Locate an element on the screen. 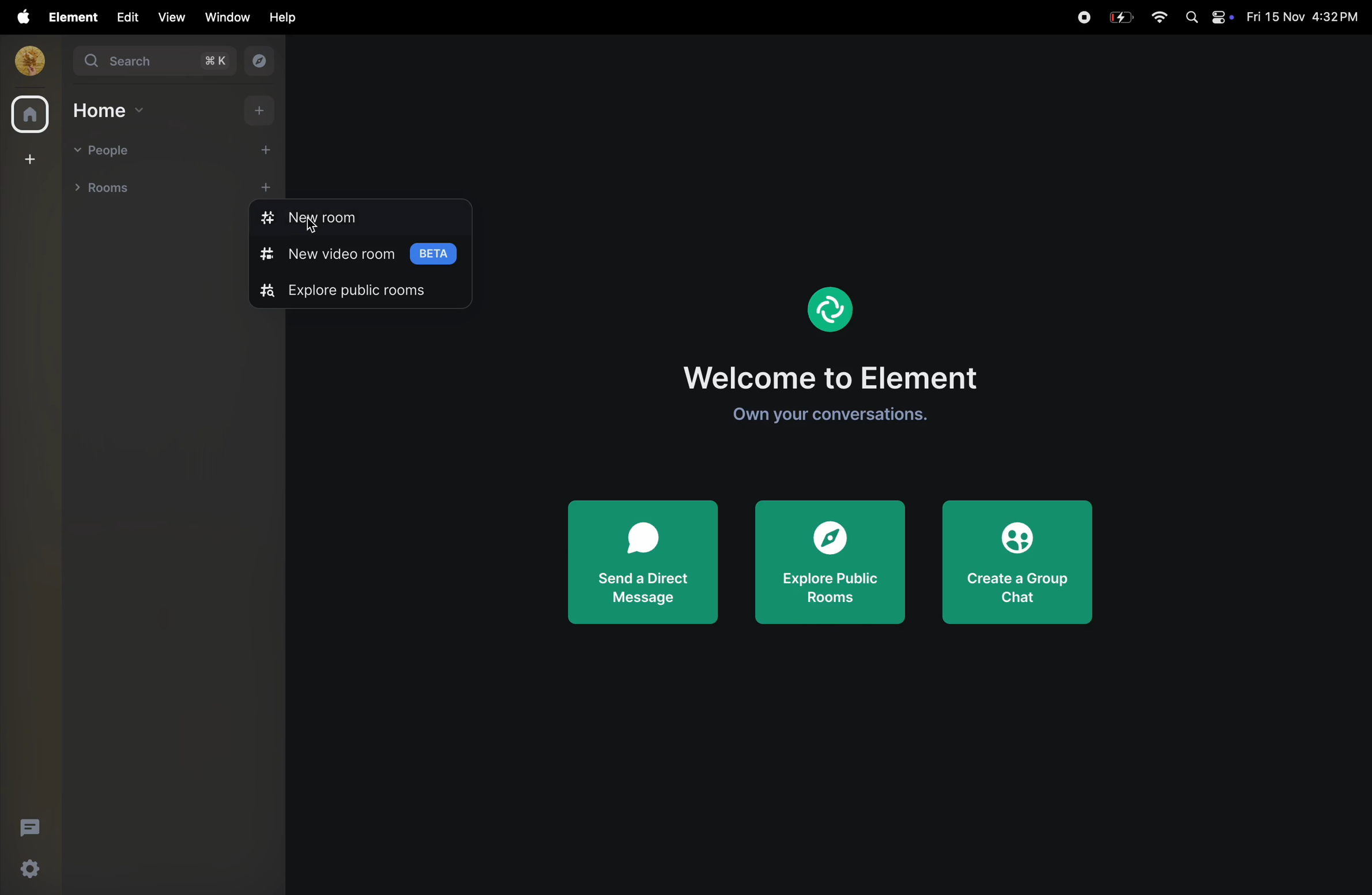 Image resolution: width=1372 pixels, height=895 pixels. send direct messages is located at coordinates (643, 560).